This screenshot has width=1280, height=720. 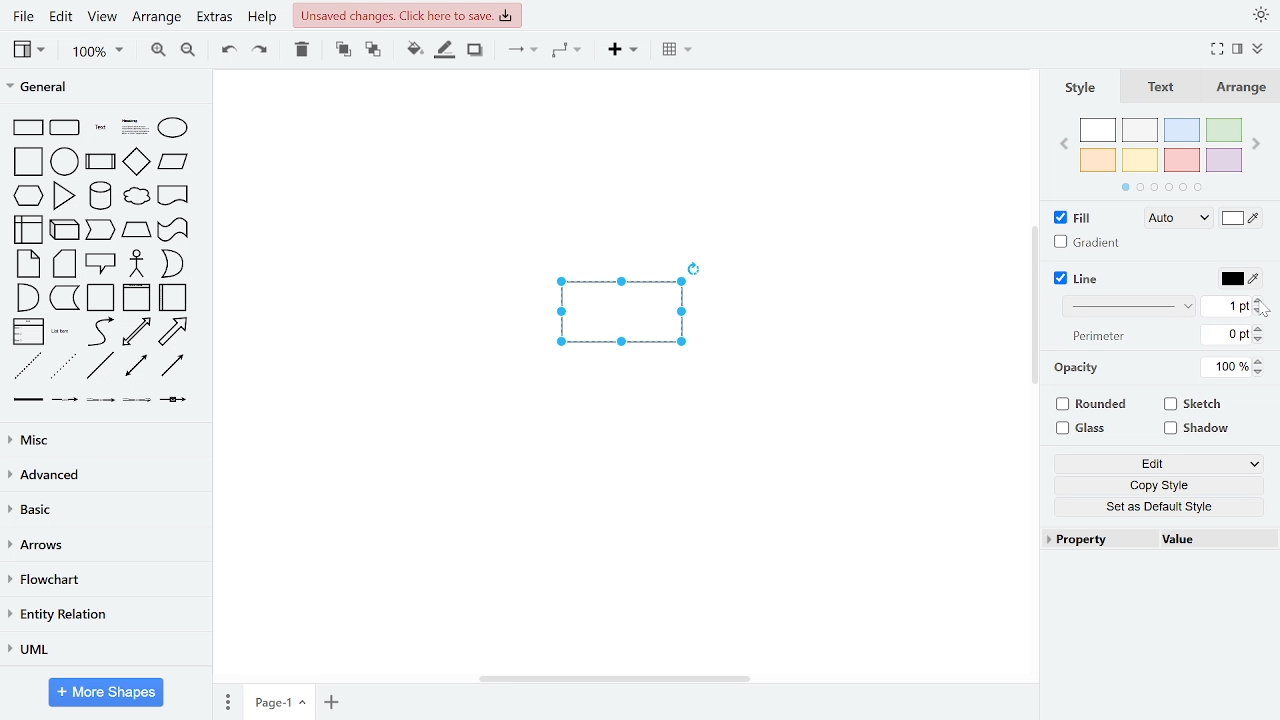 I want to click on rounded, so click(x=1095, y=405).